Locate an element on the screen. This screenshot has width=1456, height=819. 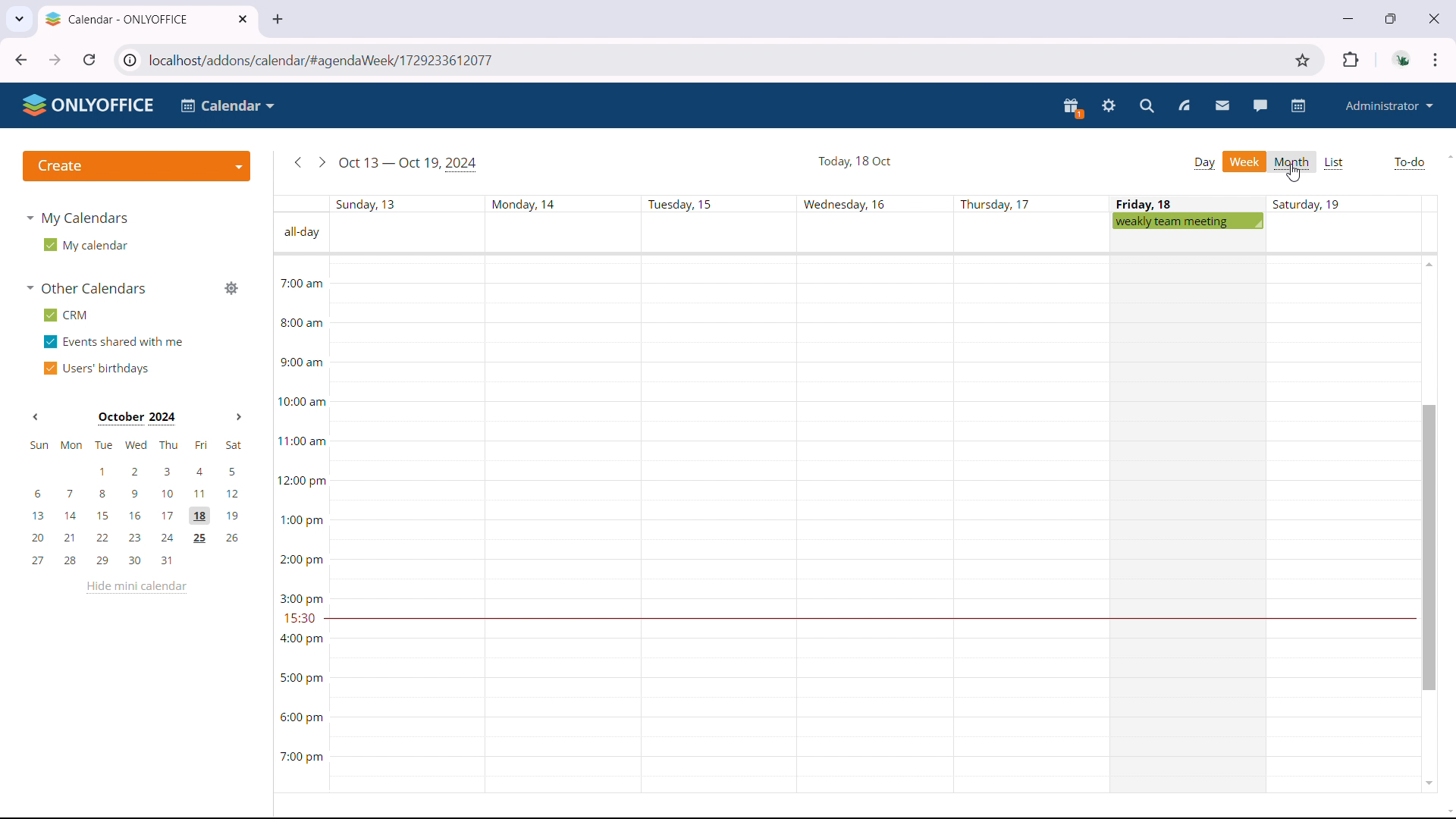
calendar is located at coordinates (1295, 106).